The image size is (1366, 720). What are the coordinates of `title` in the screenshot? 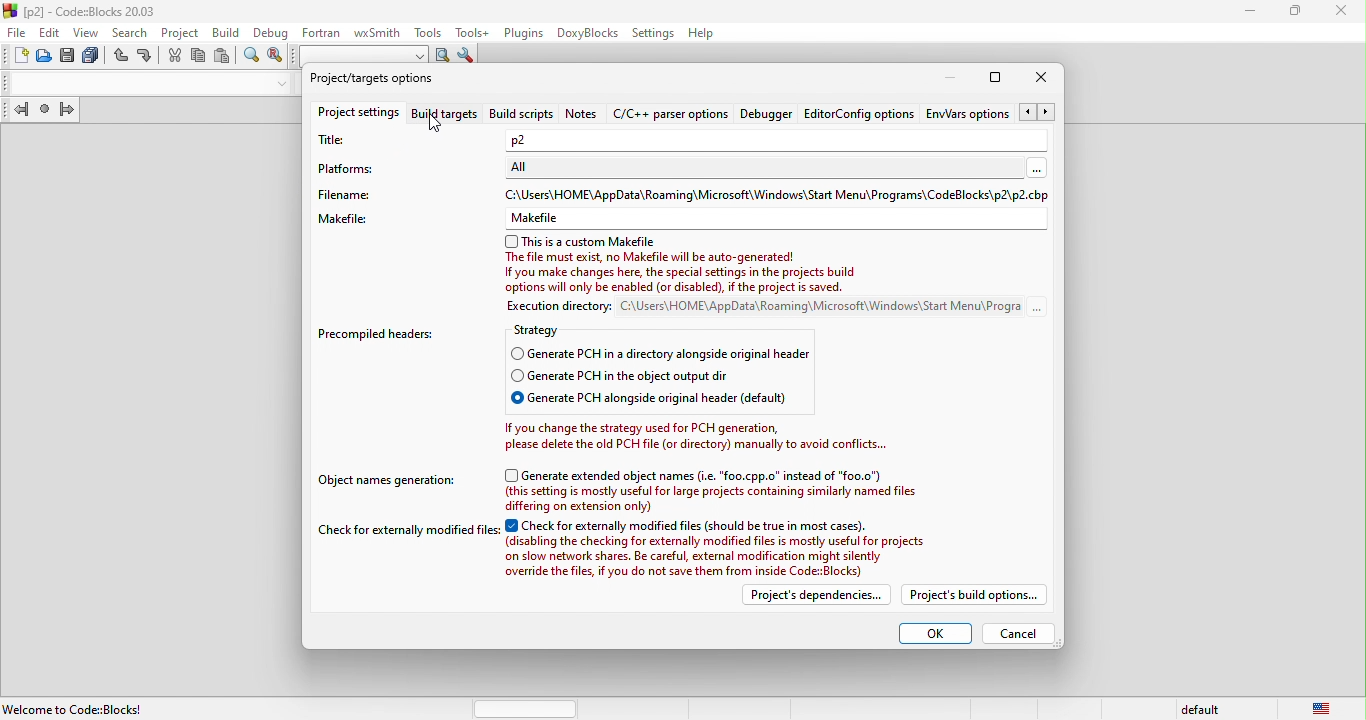 It's located at (84, 10).